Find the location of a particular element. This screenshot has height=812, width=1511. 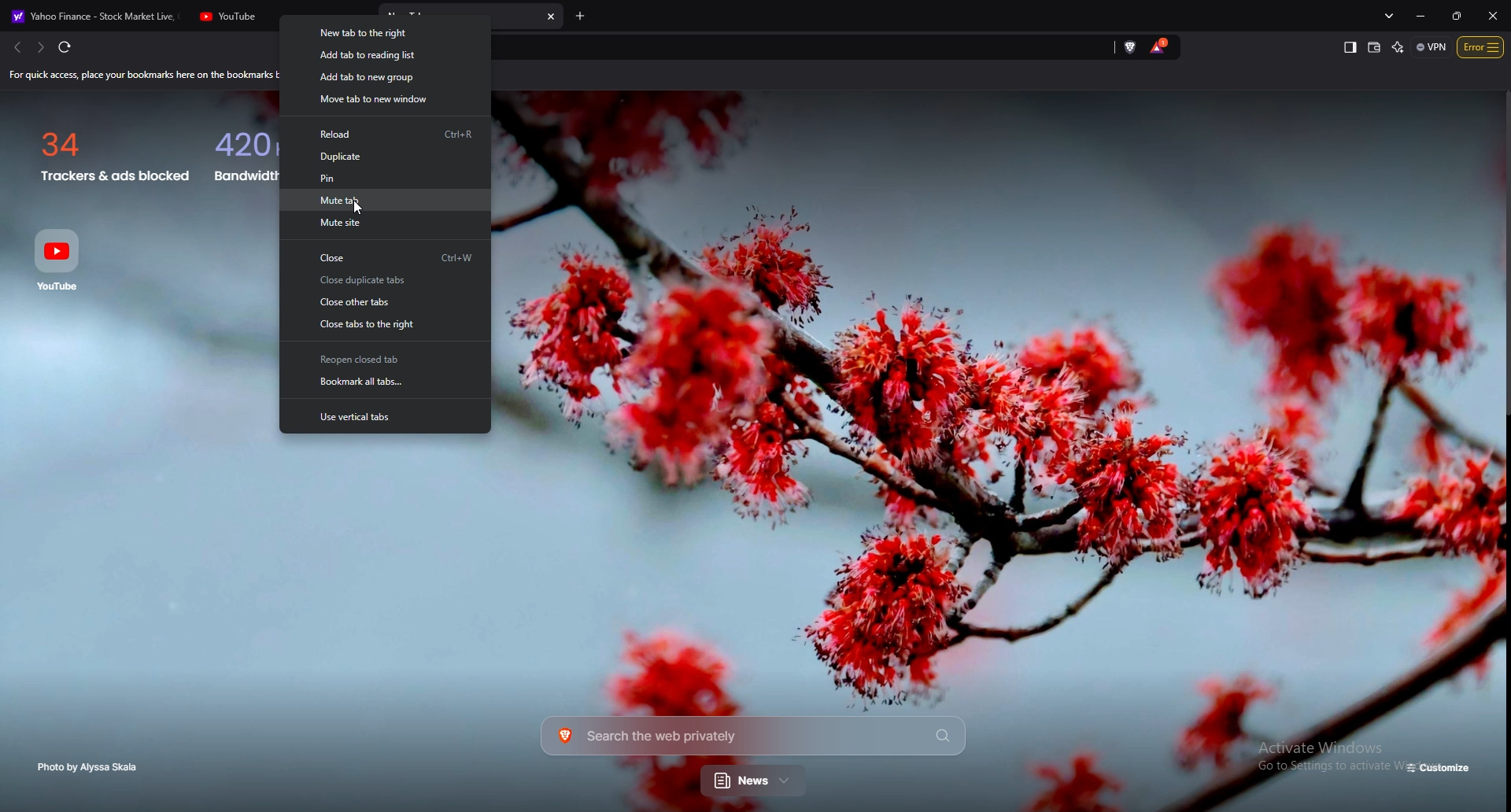

photo by Alyssa Skala is located at coordinates (92, 767).